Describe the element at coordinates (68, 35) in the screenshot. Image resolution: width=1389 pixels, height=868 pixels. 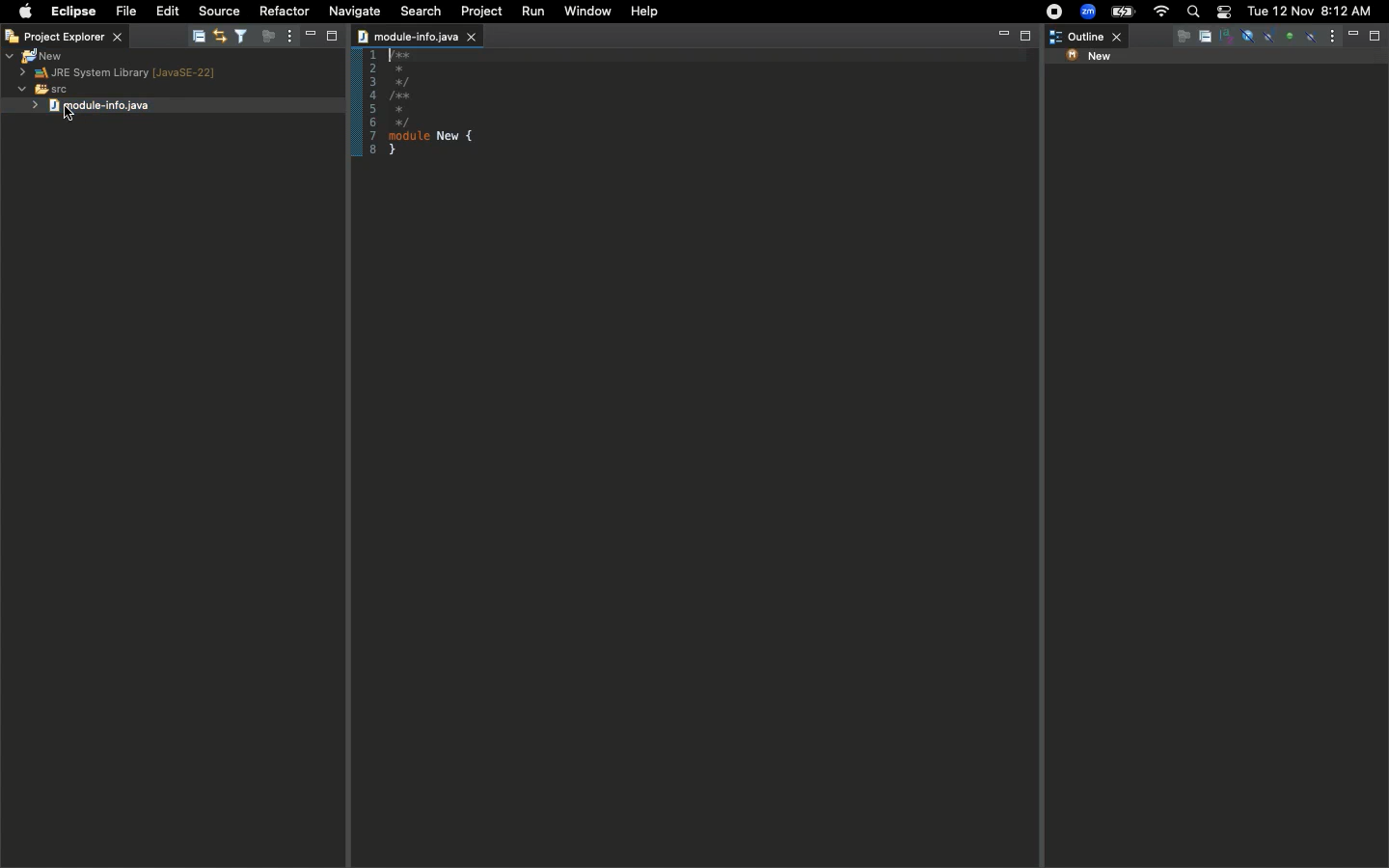
I see `Project explorer` at that location.